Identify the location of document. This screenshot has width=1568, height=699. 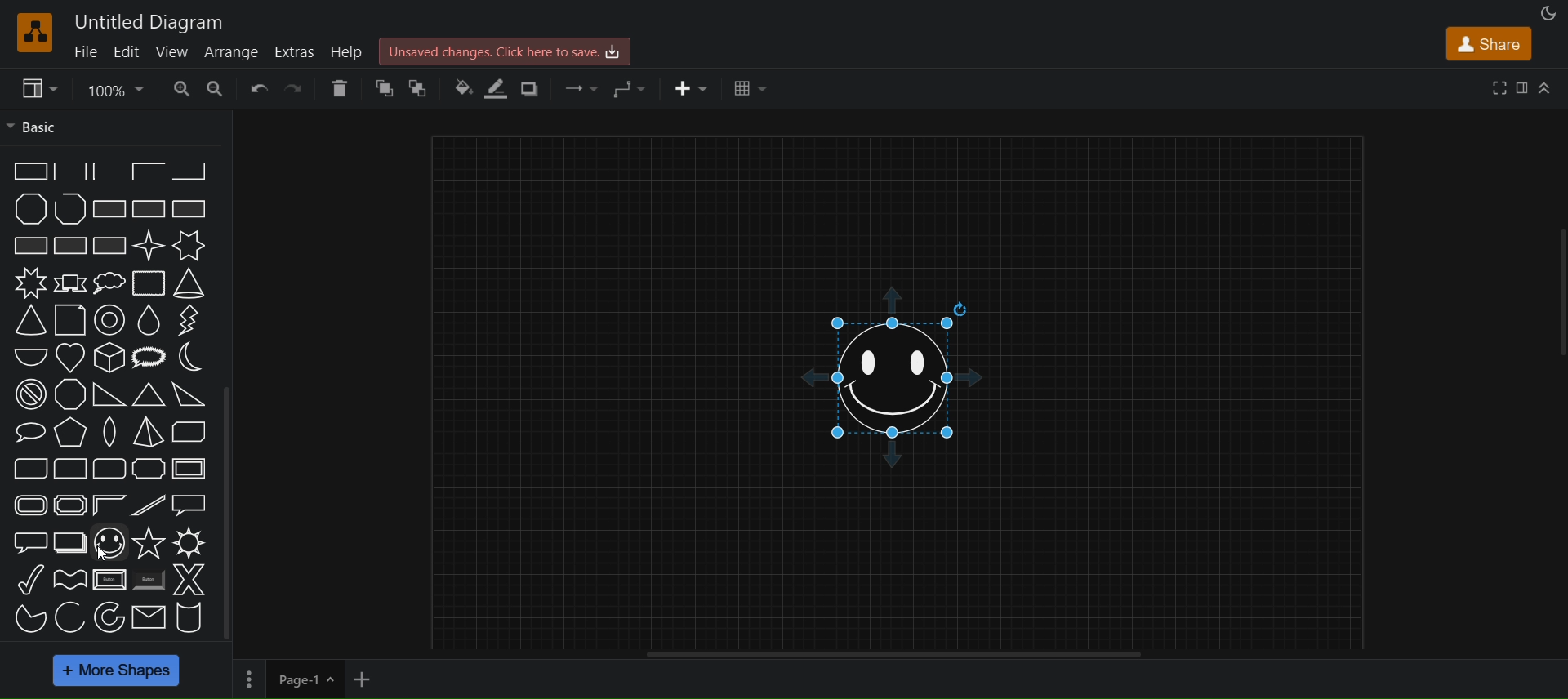
(68, 320).